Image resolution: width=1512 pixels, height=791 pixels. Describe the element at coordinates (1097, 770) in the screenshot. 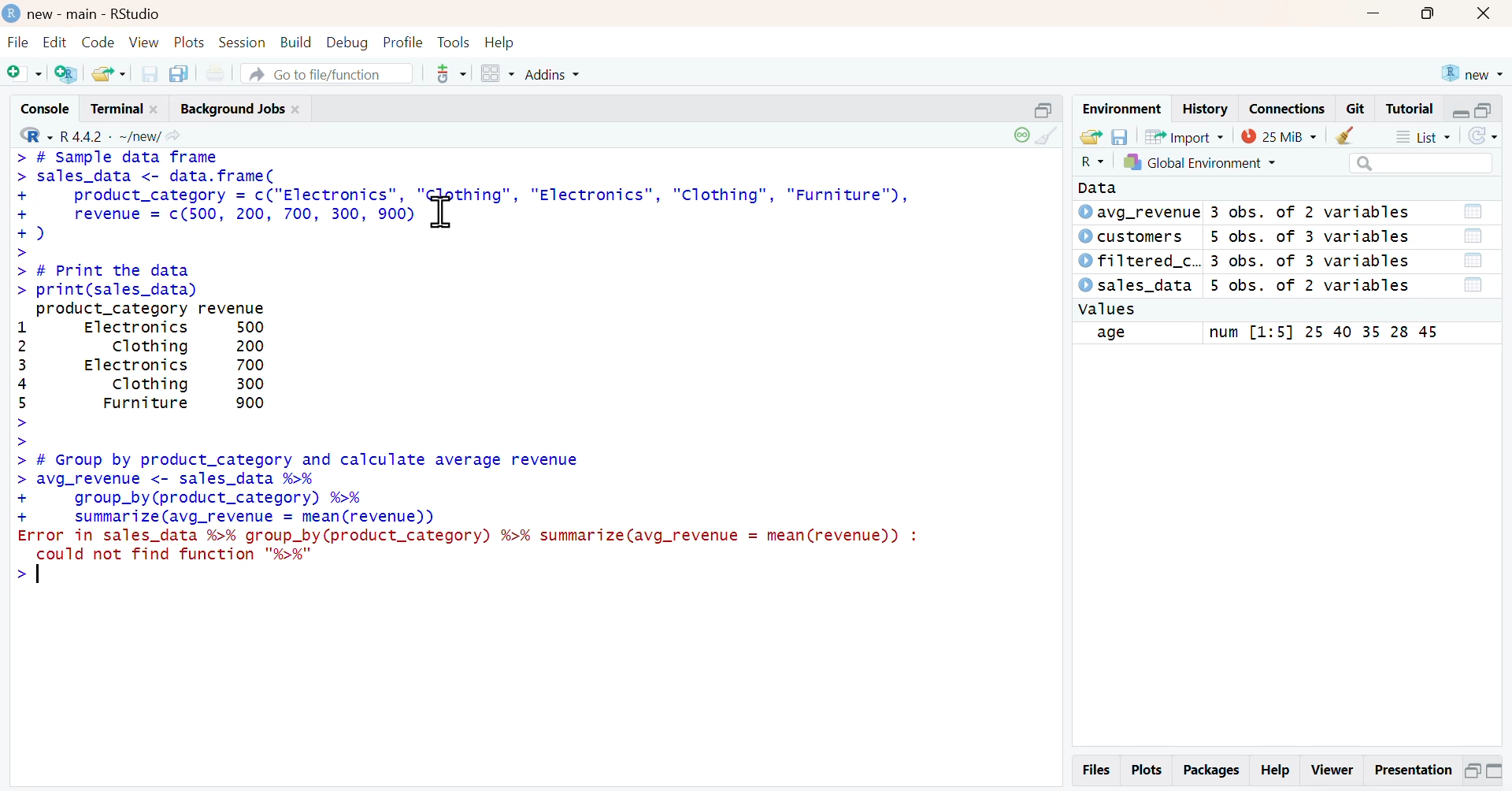

I see `Files` at that location.